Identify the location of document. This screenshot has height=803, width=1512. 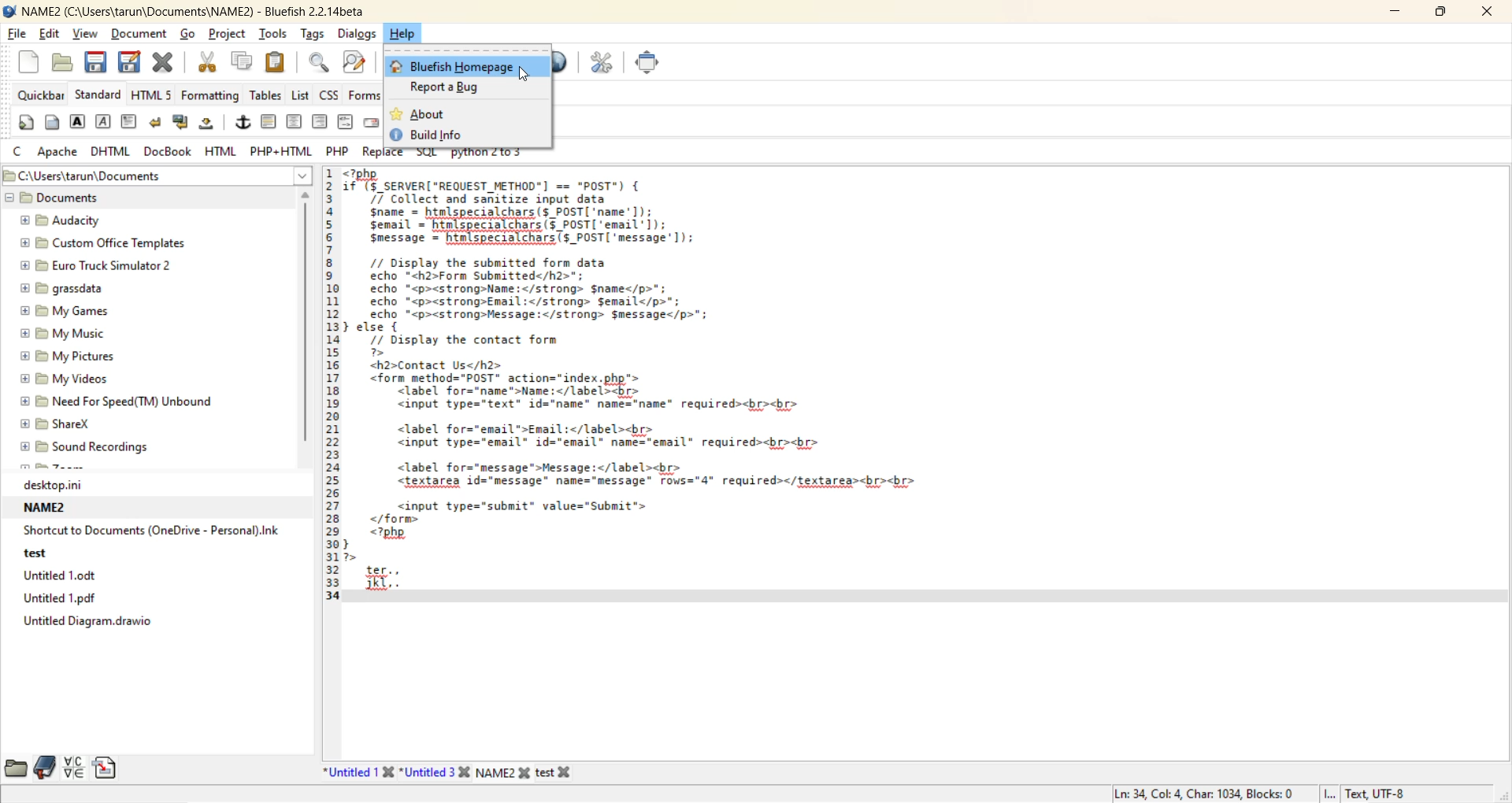
(141, 34).